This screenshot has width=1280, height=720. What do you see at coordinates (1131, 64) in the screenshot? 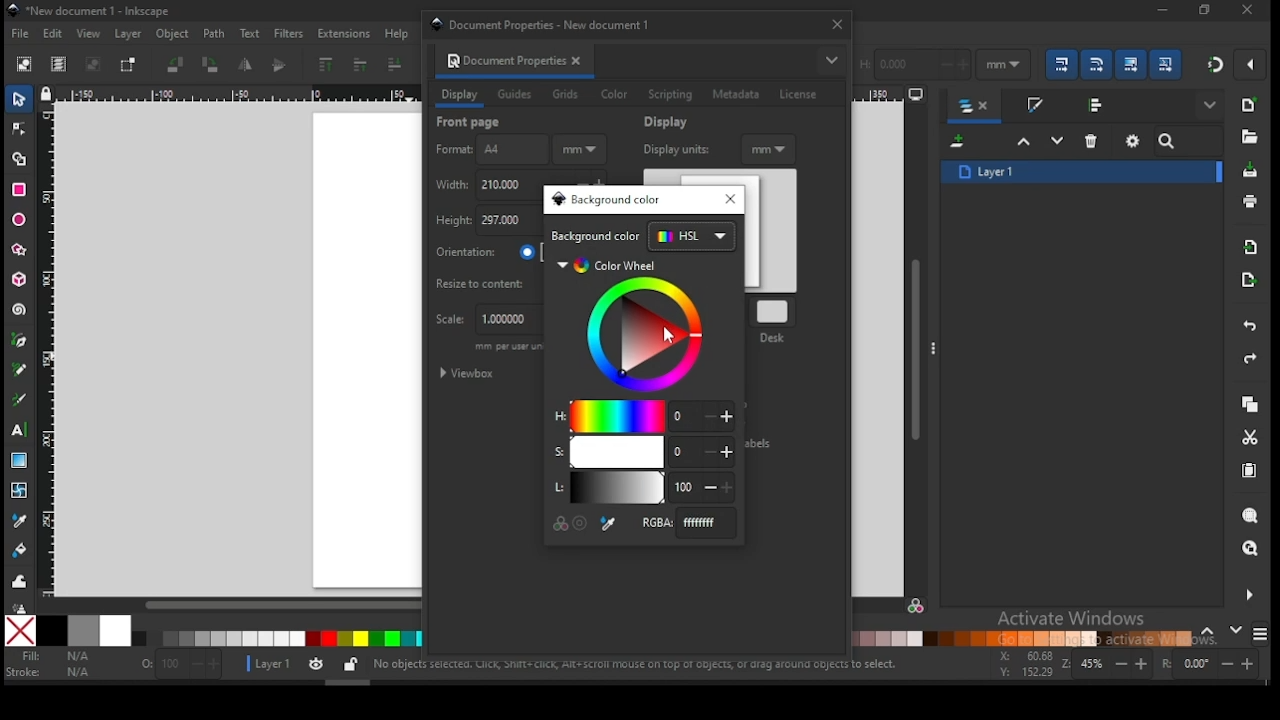
I see `move gradient along with objects` at bounding box center [1131, 64].